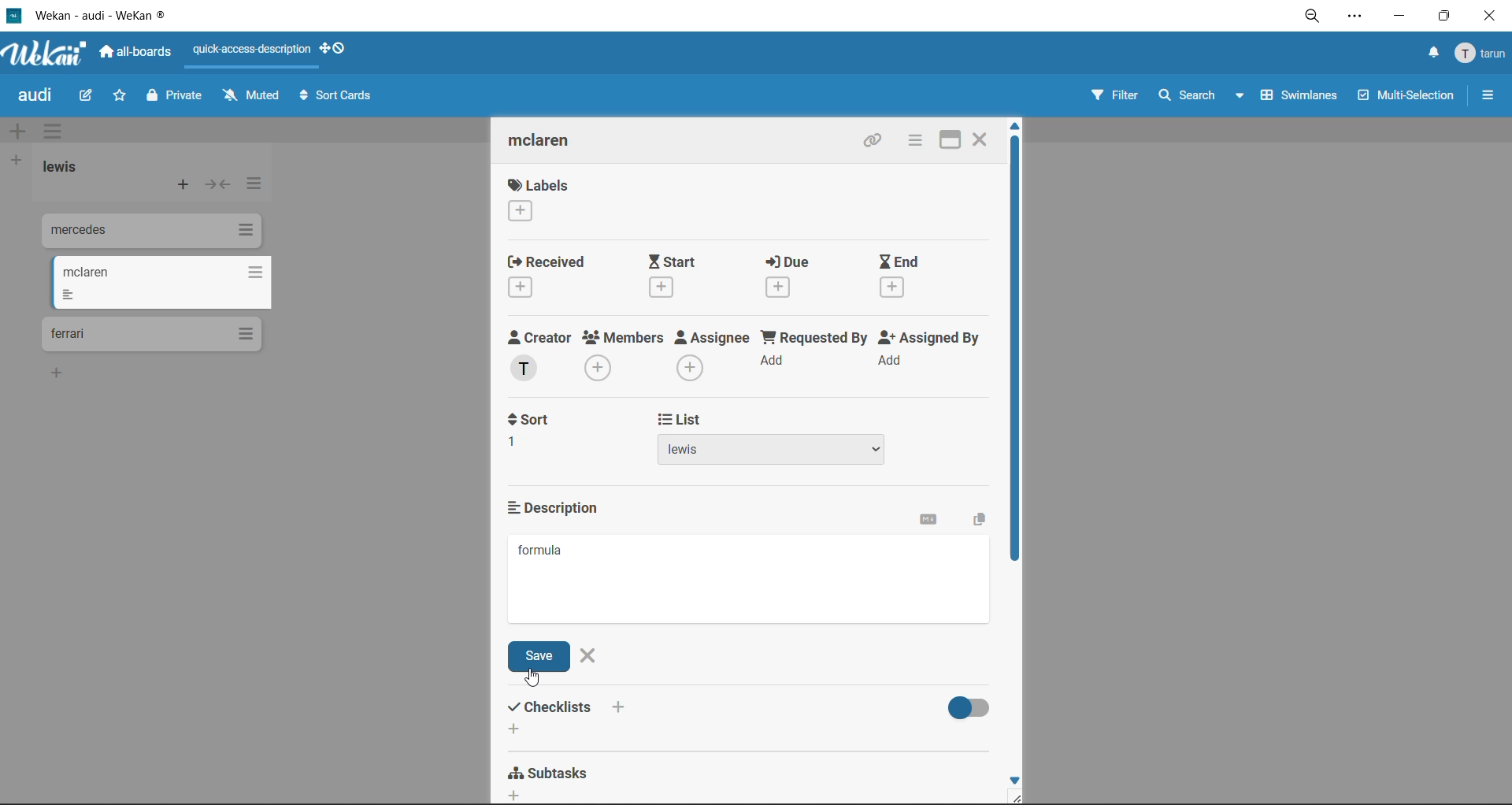 The height and width of the screenshot is (805, 1512). What do you see at coordinates (117, 97) in the screenshot?
I see `star` at bounding box center [117, 97].